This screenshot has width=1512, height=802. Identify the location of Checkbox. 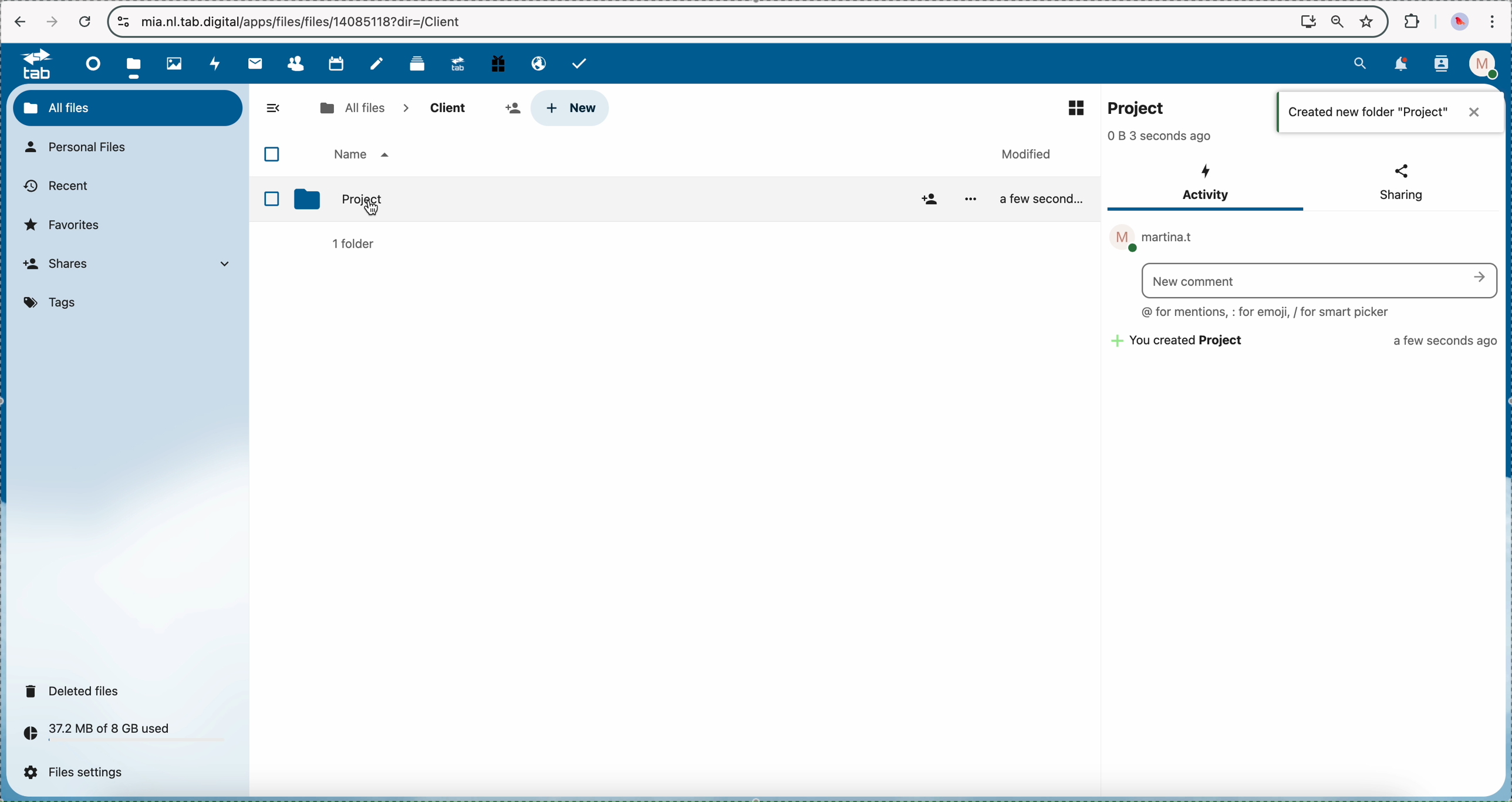
(272, 199).